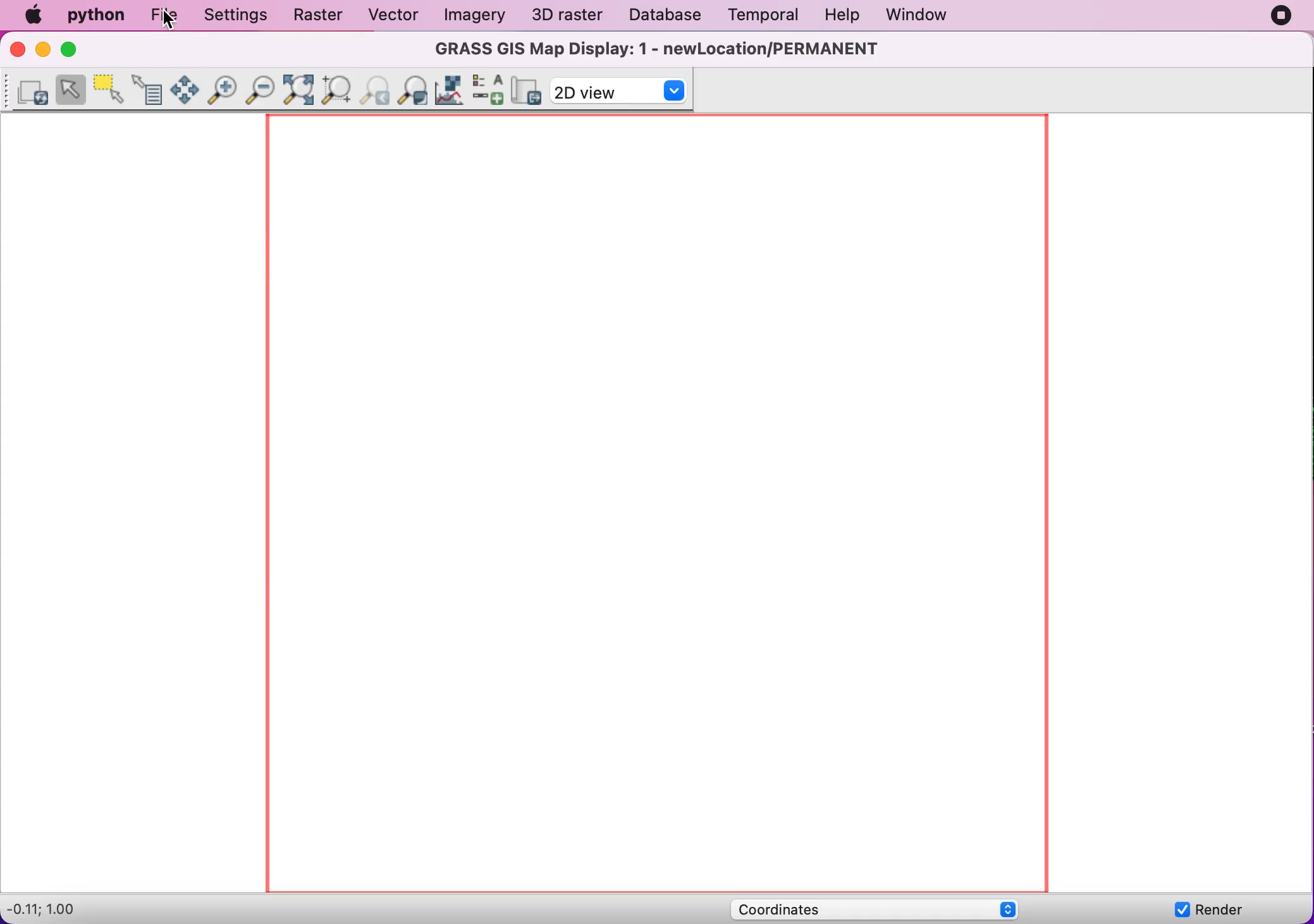 This screenshot has height=924, width=1314. I want to click on GRASS GIS Map Display: 1 - newLocation/PERMANENT, so click(659, 50).